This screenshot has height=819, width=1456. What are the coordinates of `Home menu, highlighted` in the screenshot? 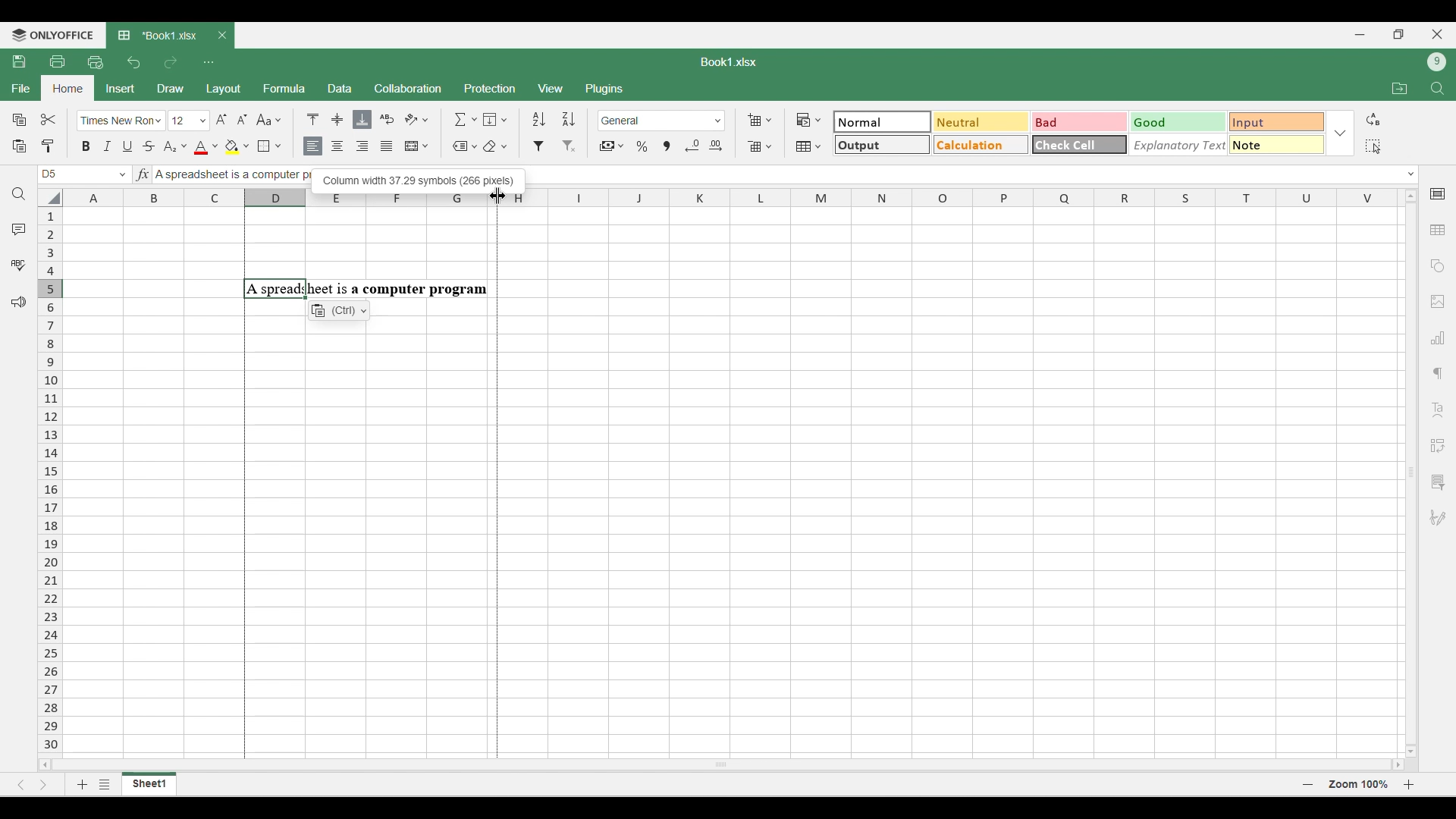 It's located at (67, 89).